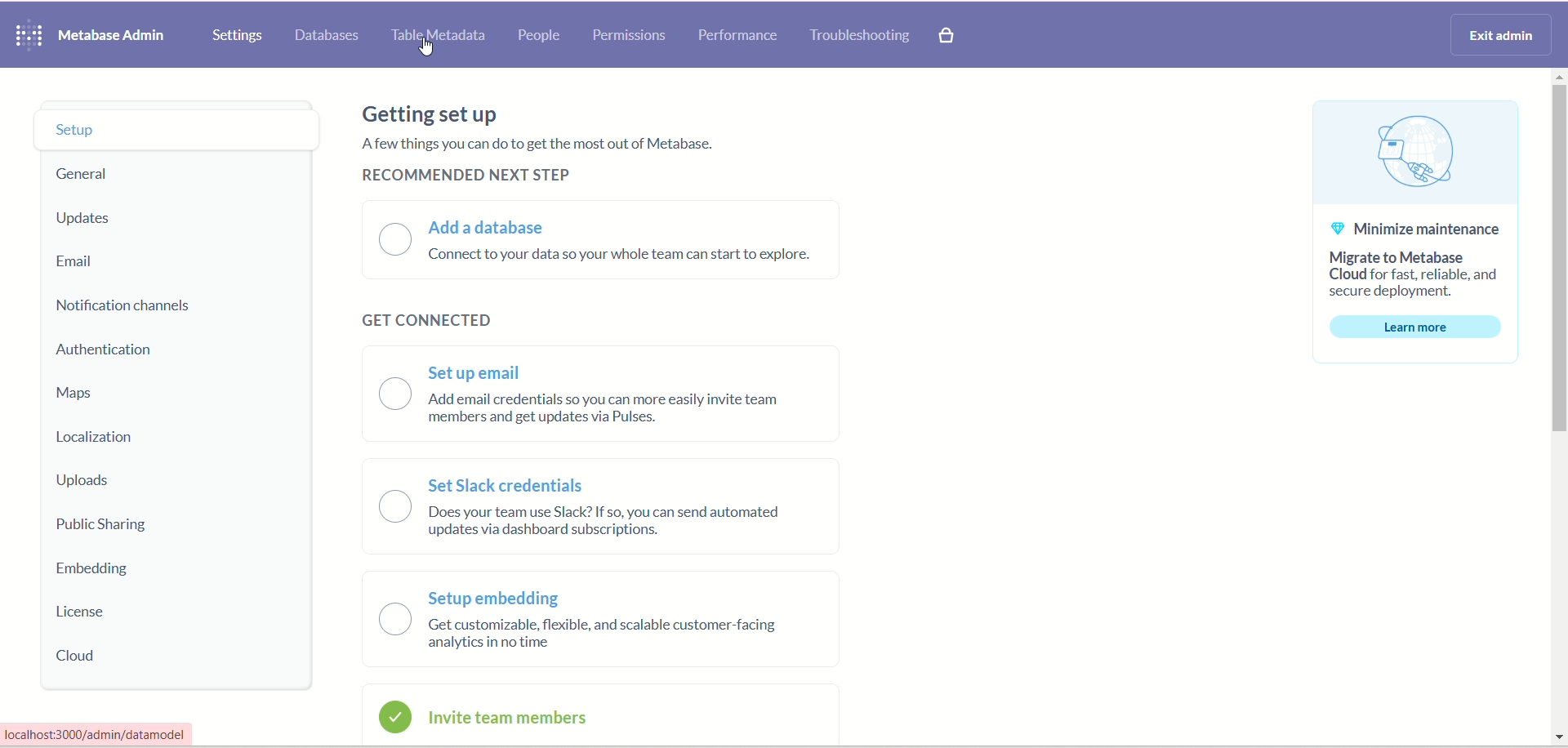 This screenshot has height=748, width=1568. What do you see at coordinates (620, 632) in the screenshot?
I see `get customizable, flexible, and scalable customer facing analytics in no time` at bounding box center [620, 632].